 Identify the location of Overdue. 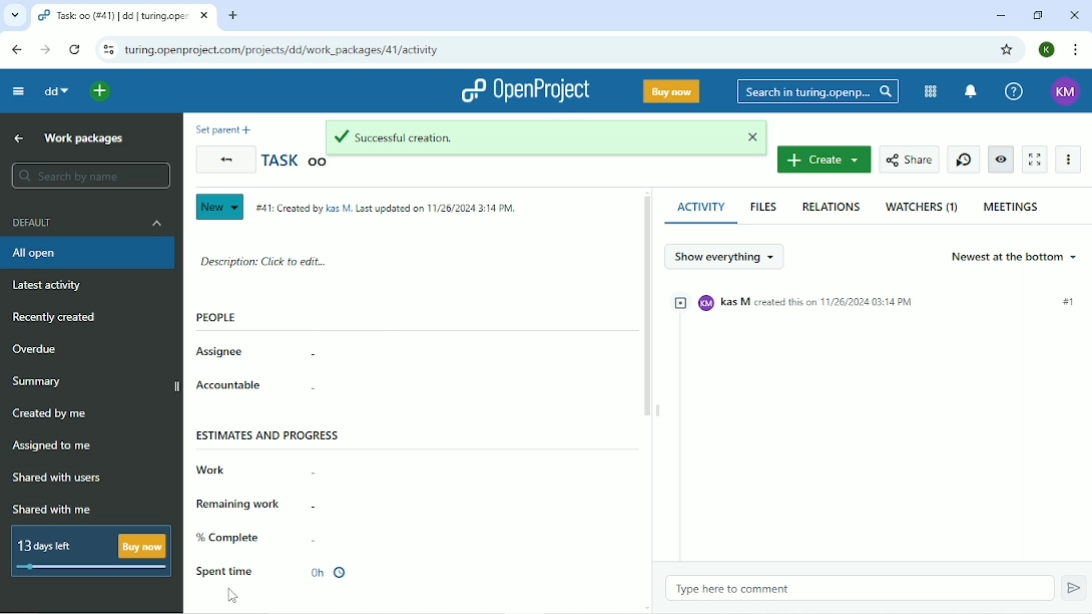
(34, 349).